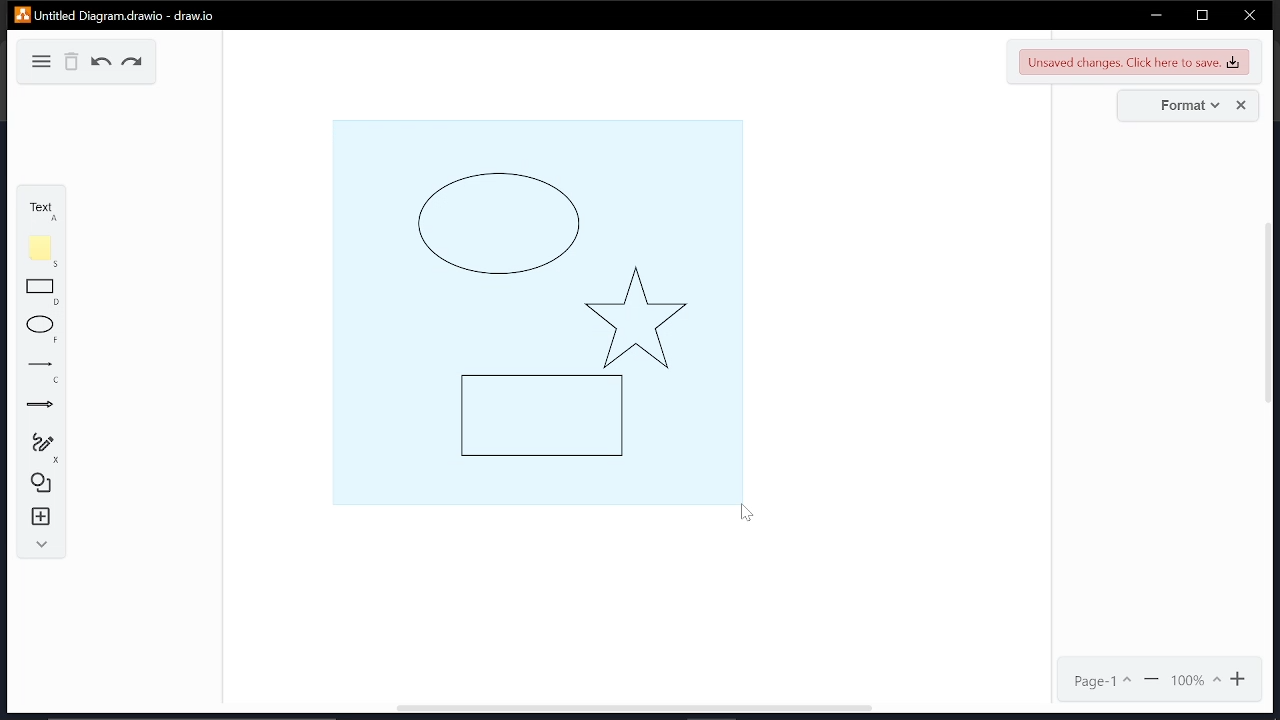 This screenshot has height=720, width=1280. I want to click on Untitled Diagram.draw.io, so click(116, 14).